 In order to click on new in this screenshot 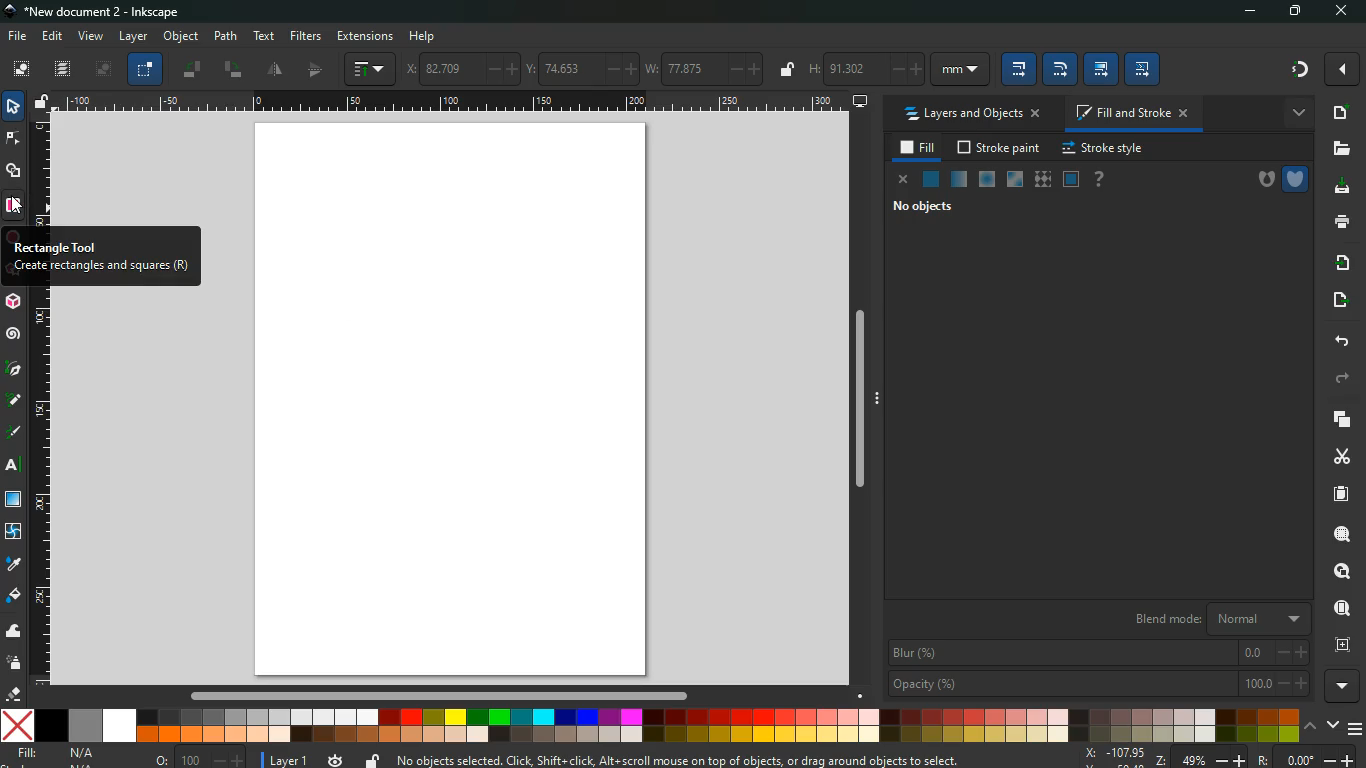, I will do `click(1337, 112)`.